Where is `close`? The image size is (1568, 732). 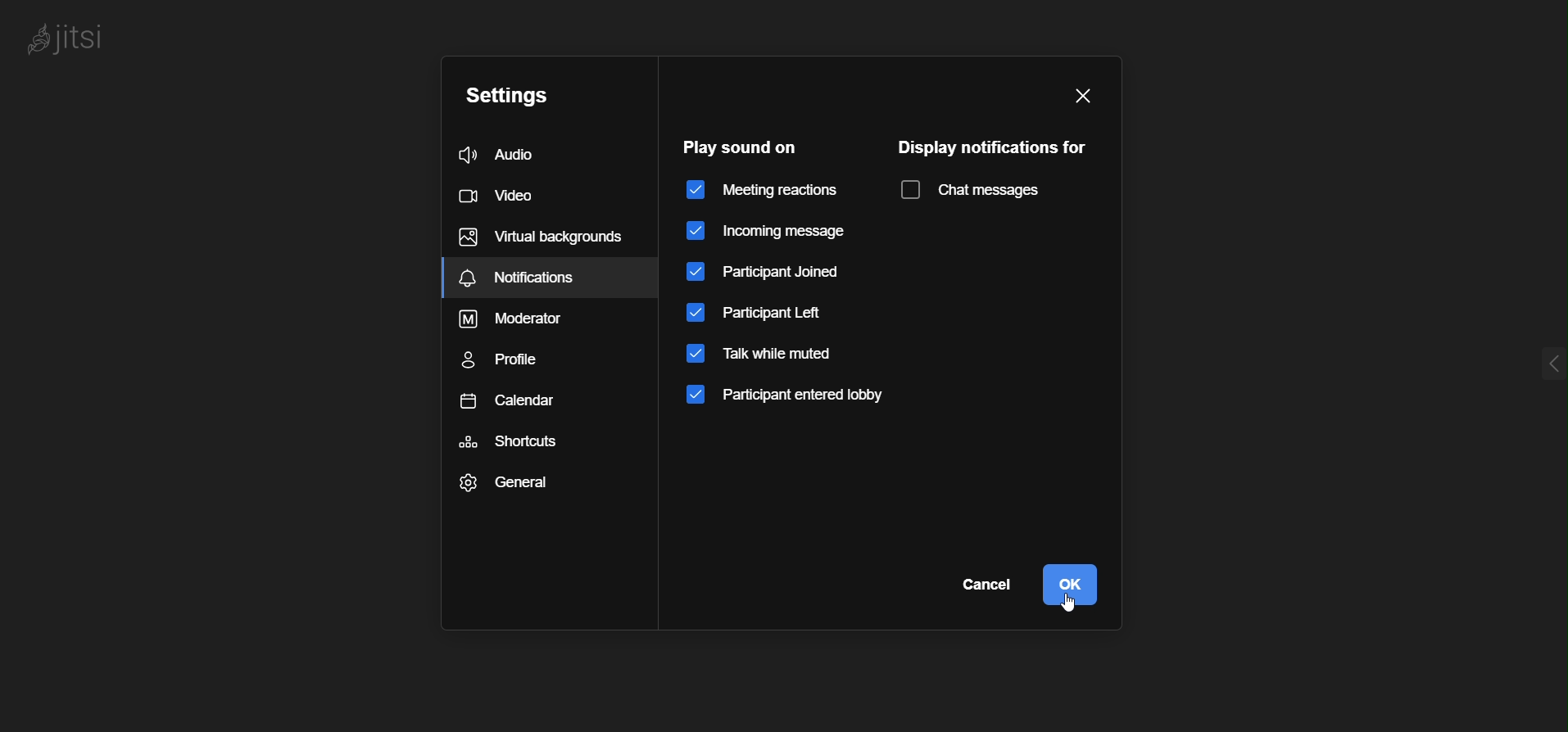 close is located at coordinates (1081, 96).